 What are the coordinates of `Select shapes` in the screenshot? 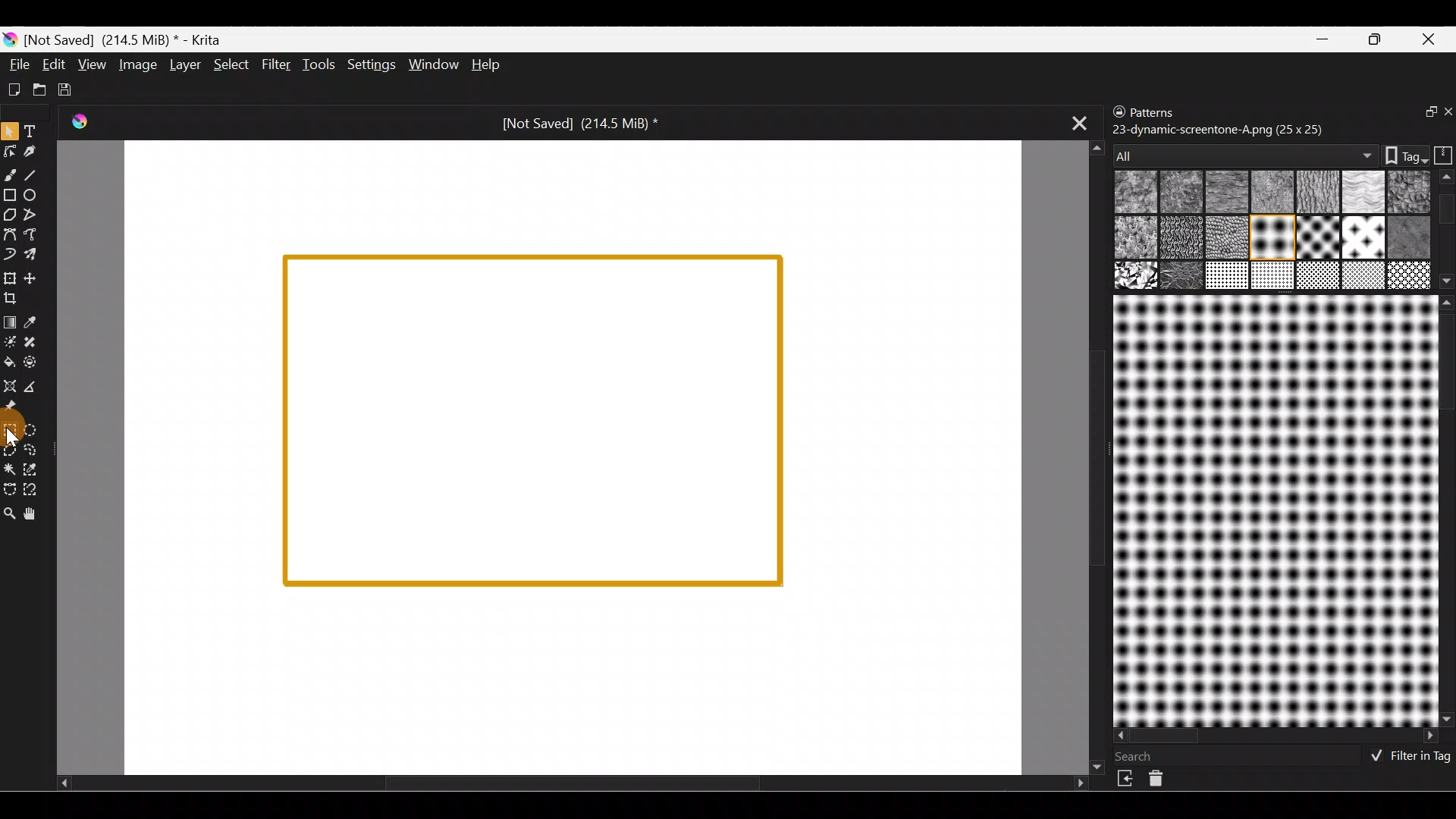 It's located at (9, 132).